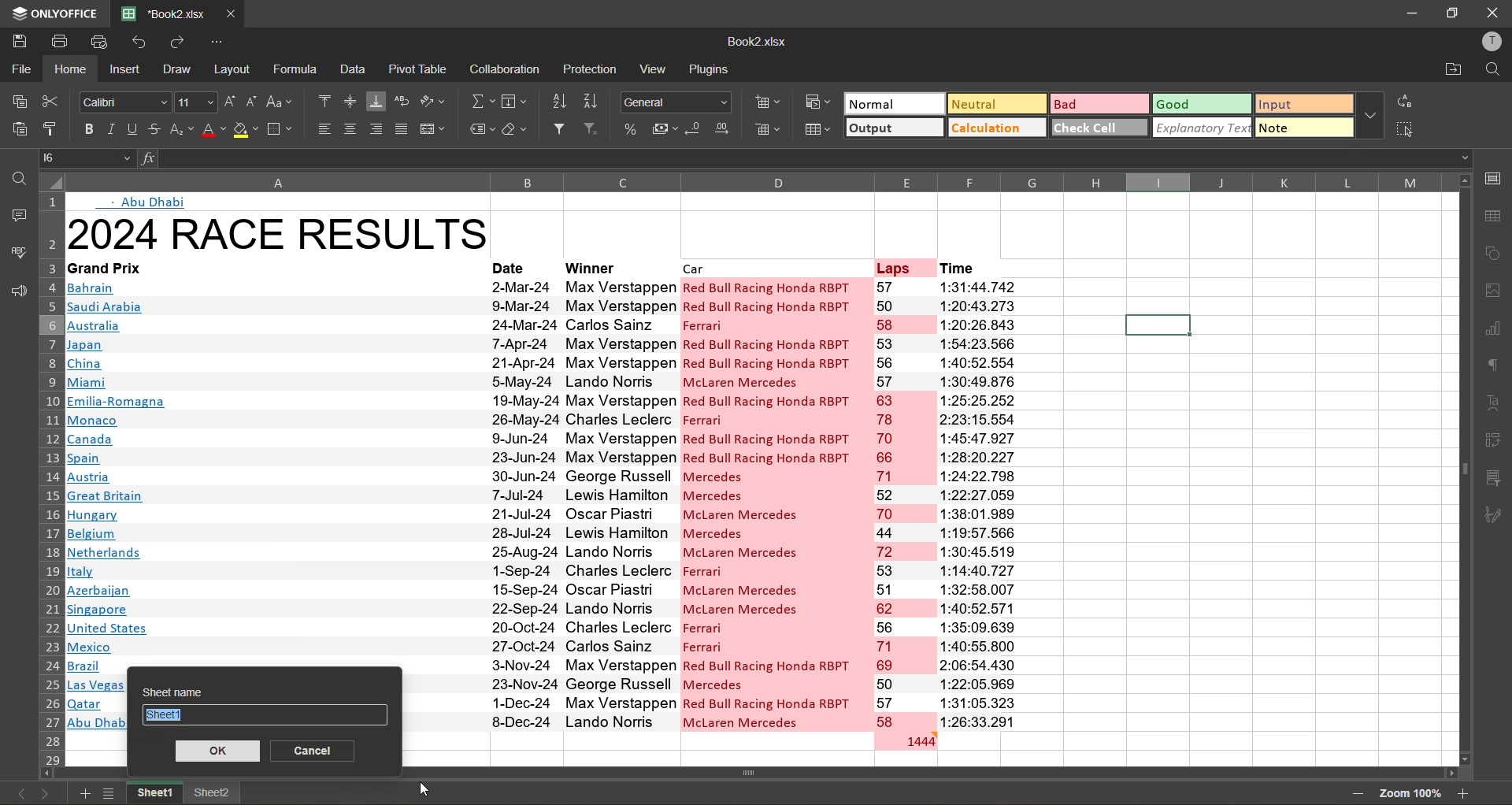  Describe the element at coordinates (1497, 332) in the screenshot. I see `charts` at that location.